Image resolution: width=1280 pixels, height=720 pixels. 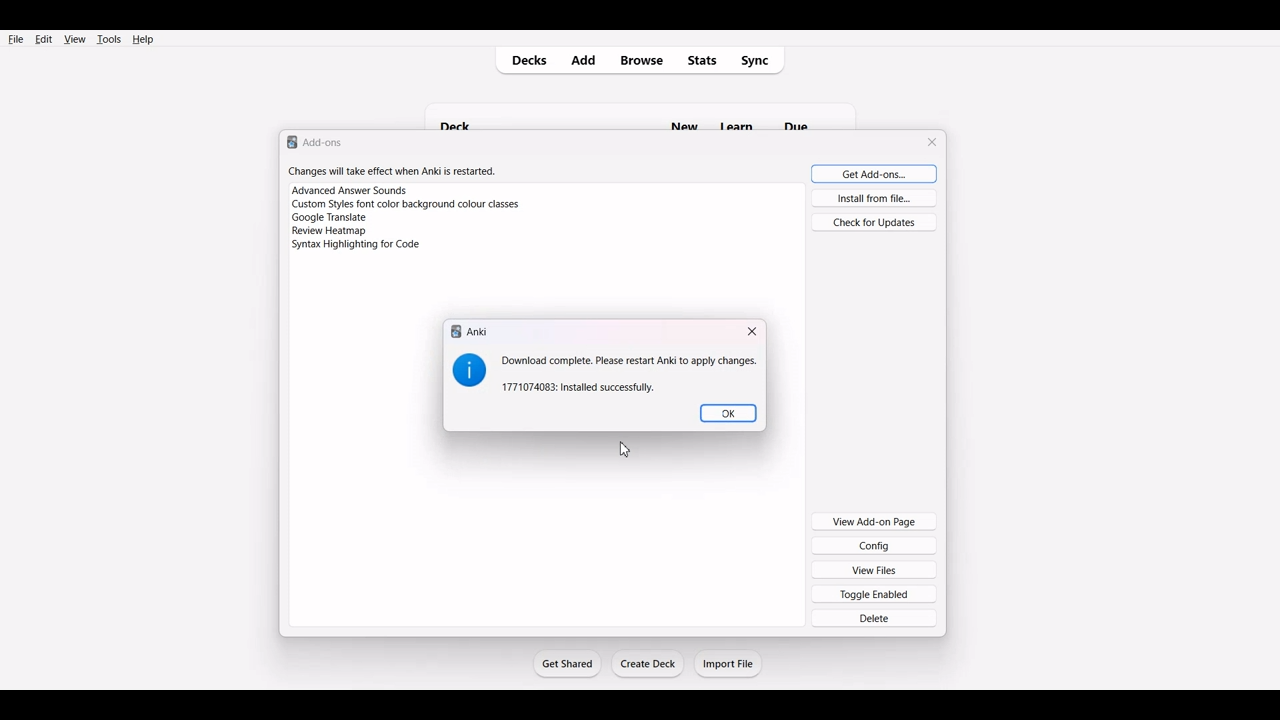 I want to click on Get Started, so click(x=566, y=663).